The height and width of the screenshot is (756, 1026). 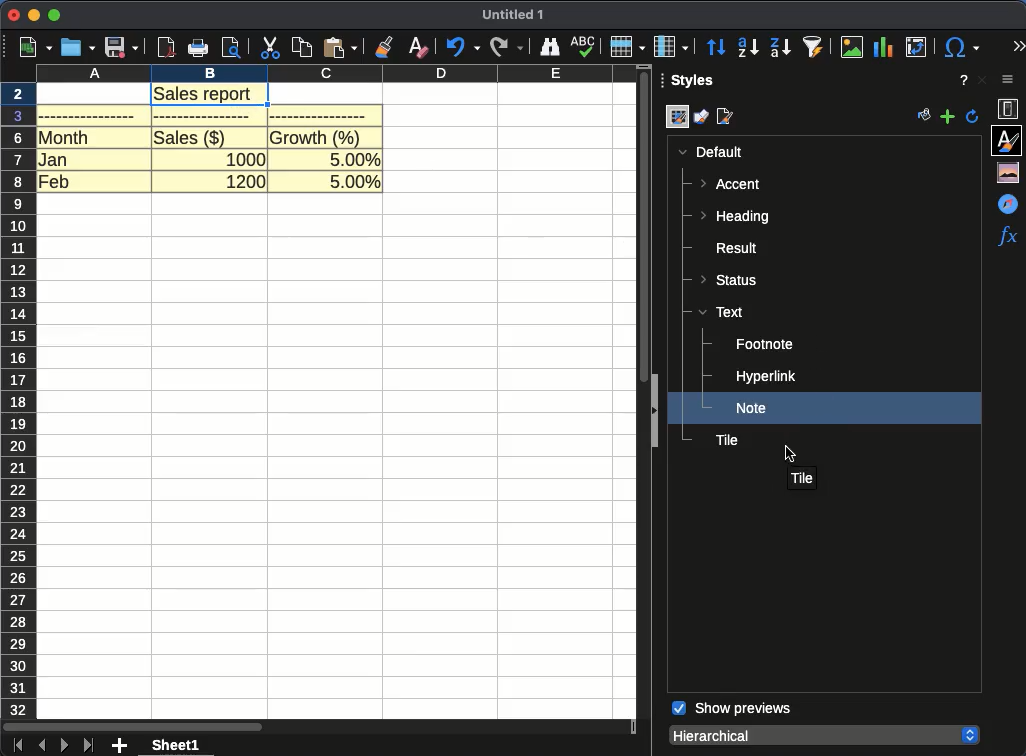 What do you see at coordinates (781, 48) in the screenshot?
I see `descending ` at bounding box center [781, 48].